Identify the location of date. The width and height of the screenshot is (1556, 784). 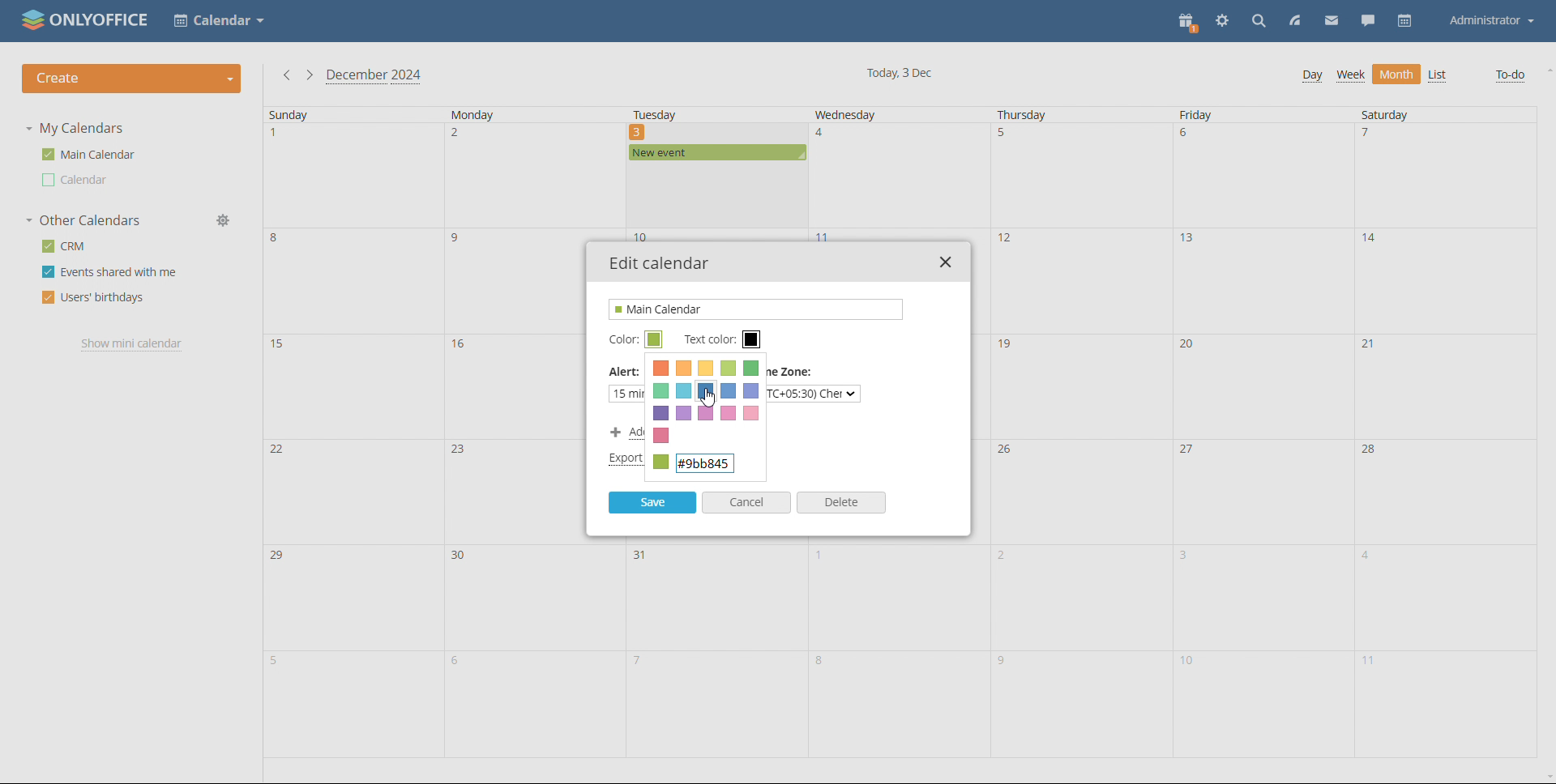
(349, 596).